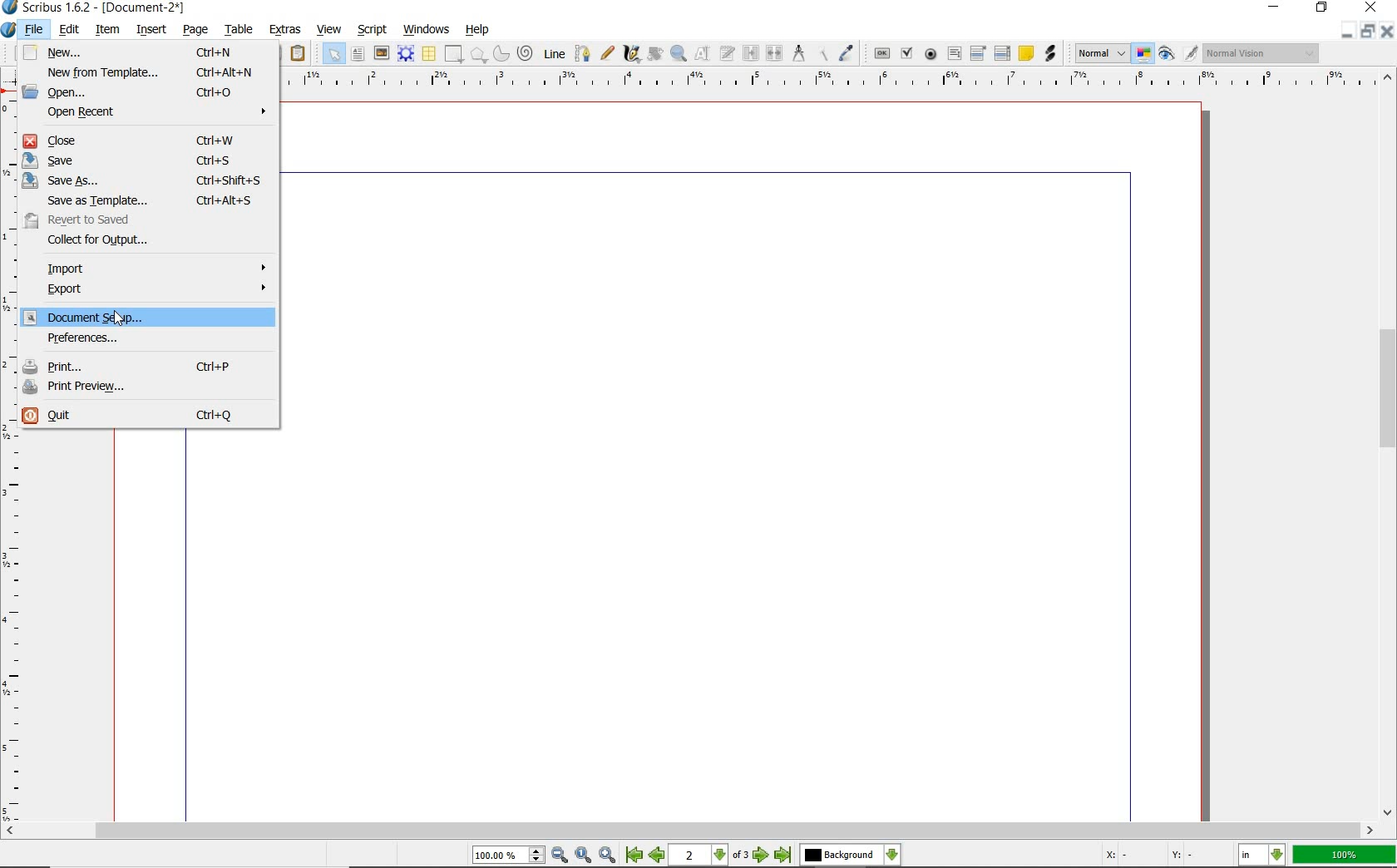  What do you see at coordinates (1144, 56) in the screenshot?
I see `toggle color management` at bounding box center [1144, 56].